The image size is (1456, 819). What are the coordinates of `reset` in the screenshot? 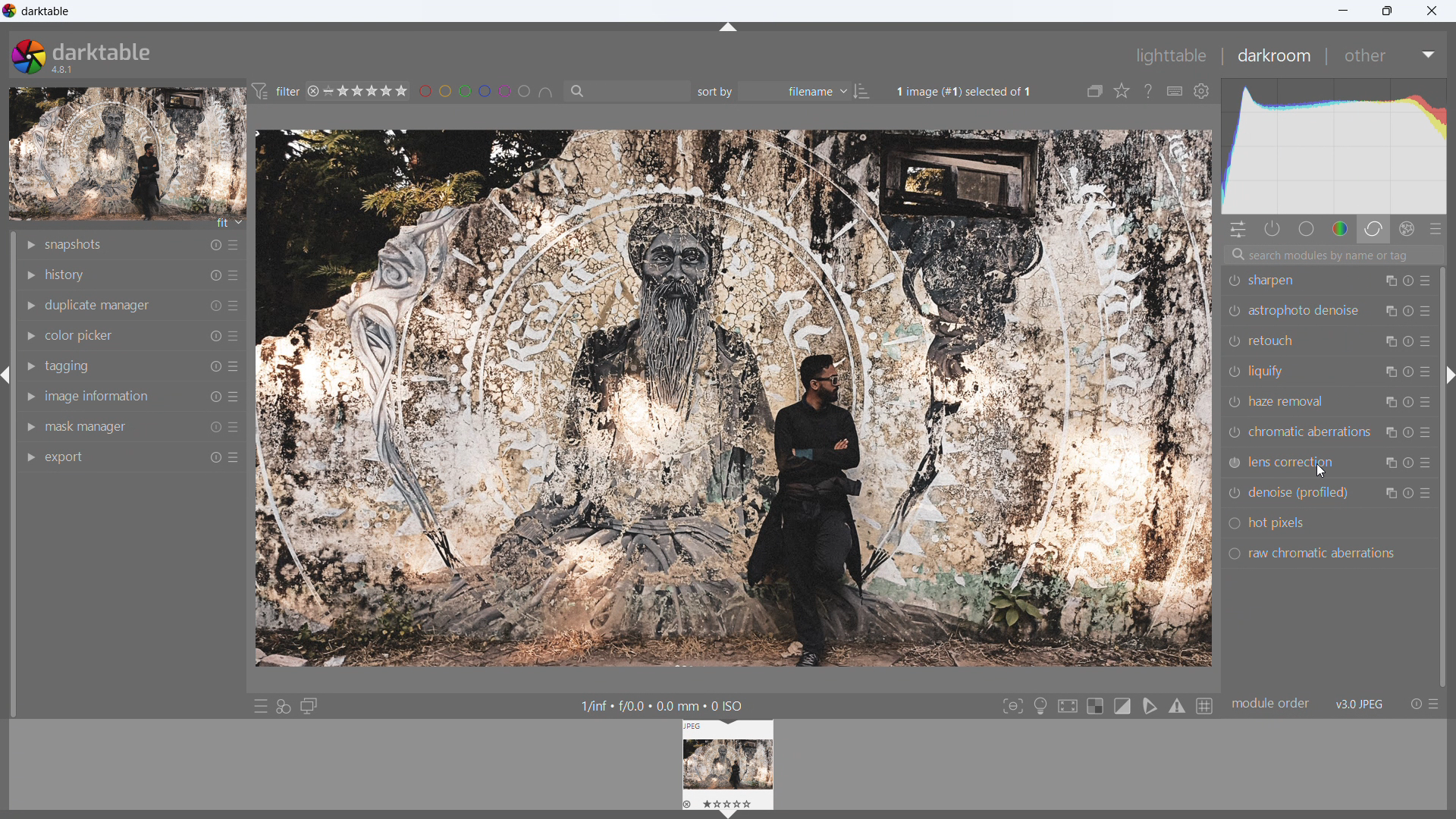 It's located at (1409, 340).